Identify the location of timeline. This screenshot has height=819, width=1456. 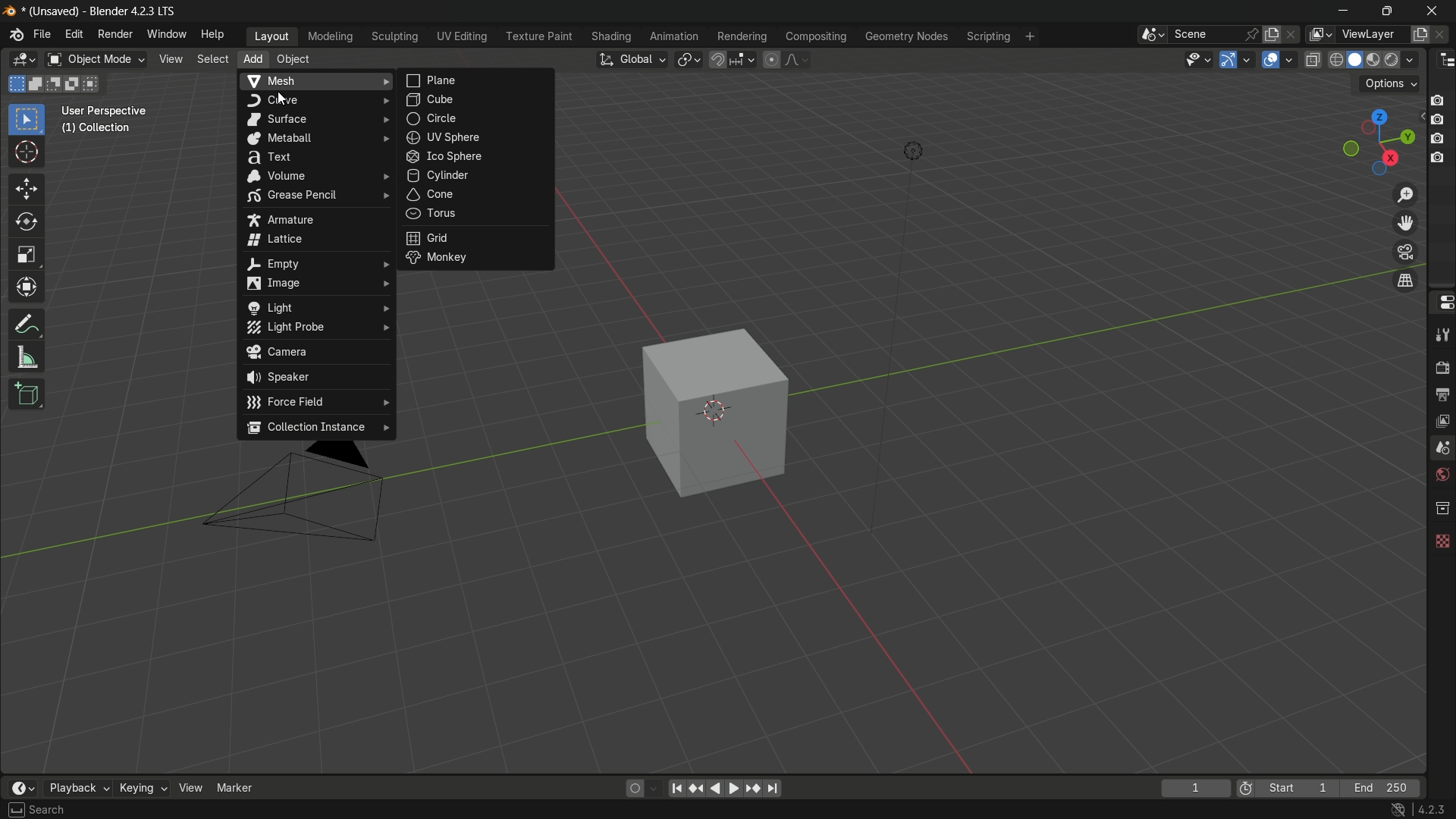
(19, 784).